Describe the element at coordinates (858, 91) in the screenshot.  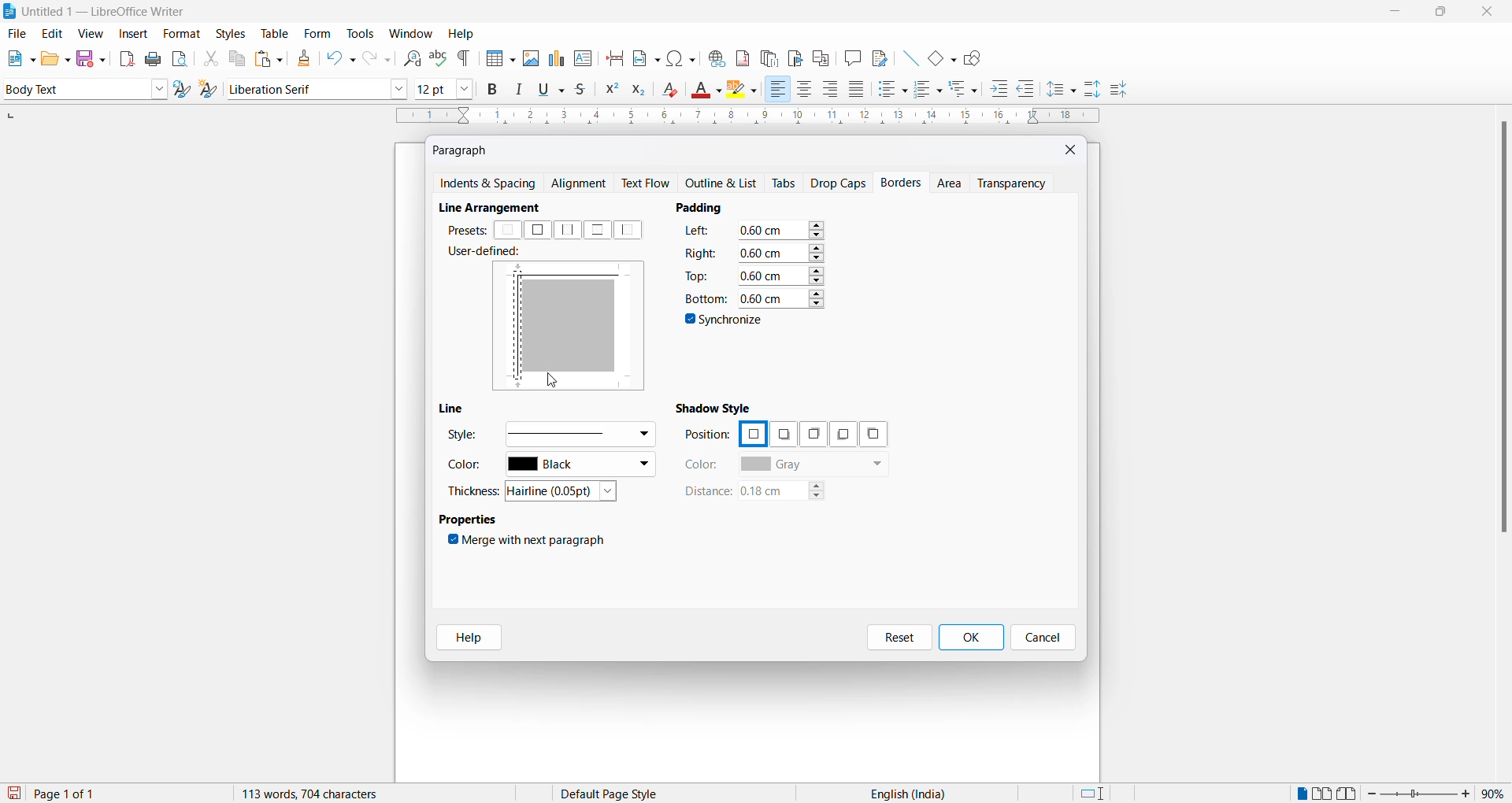
I see `justified` at that location.